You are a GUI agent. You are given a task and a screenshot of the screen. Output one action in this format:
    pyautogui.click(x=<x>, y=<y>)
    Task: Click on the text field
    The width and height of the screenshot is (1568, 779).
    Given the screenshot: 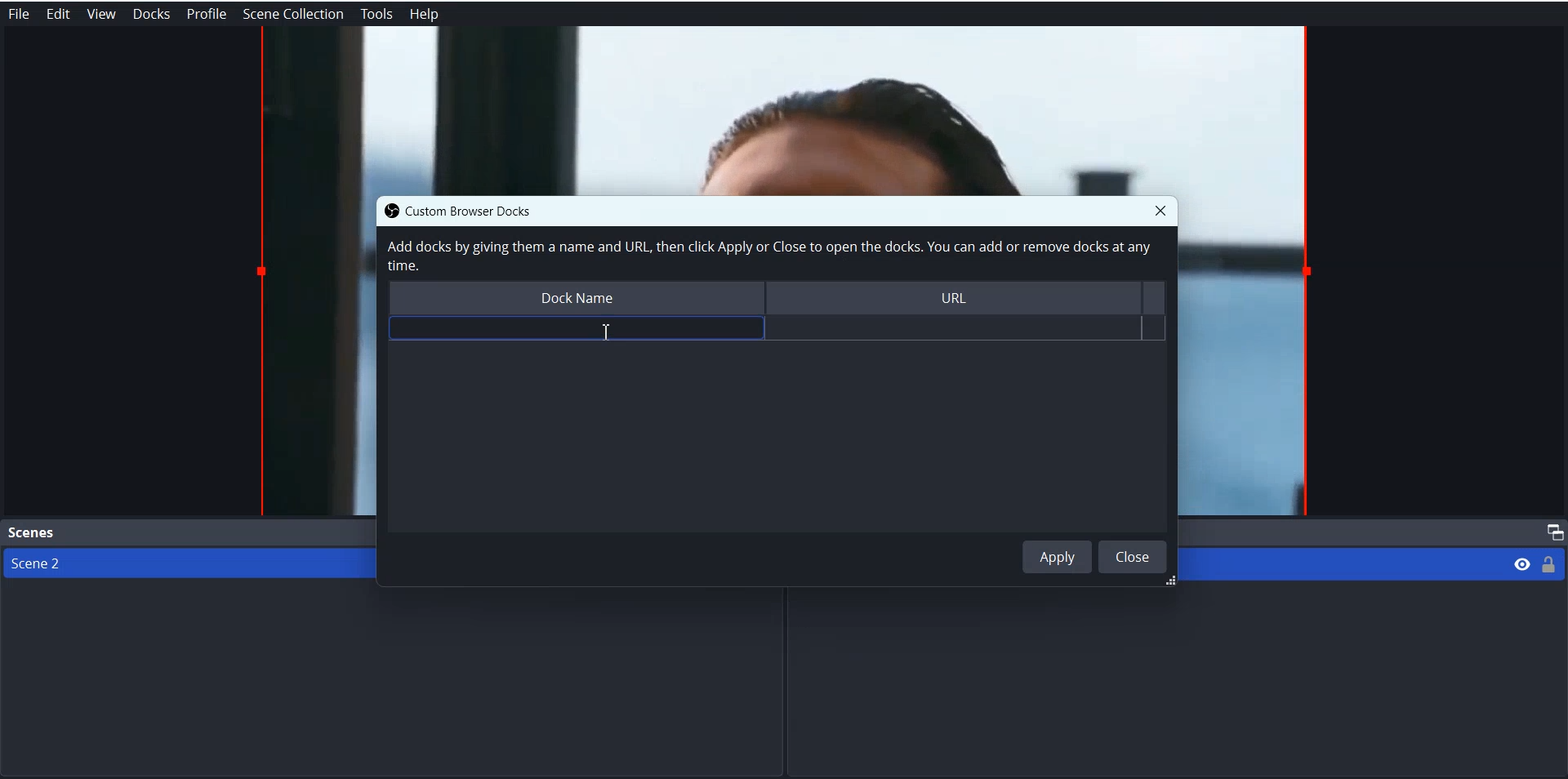 What is the action you would take?
    pyautogui.click(x=576, y=329)
    